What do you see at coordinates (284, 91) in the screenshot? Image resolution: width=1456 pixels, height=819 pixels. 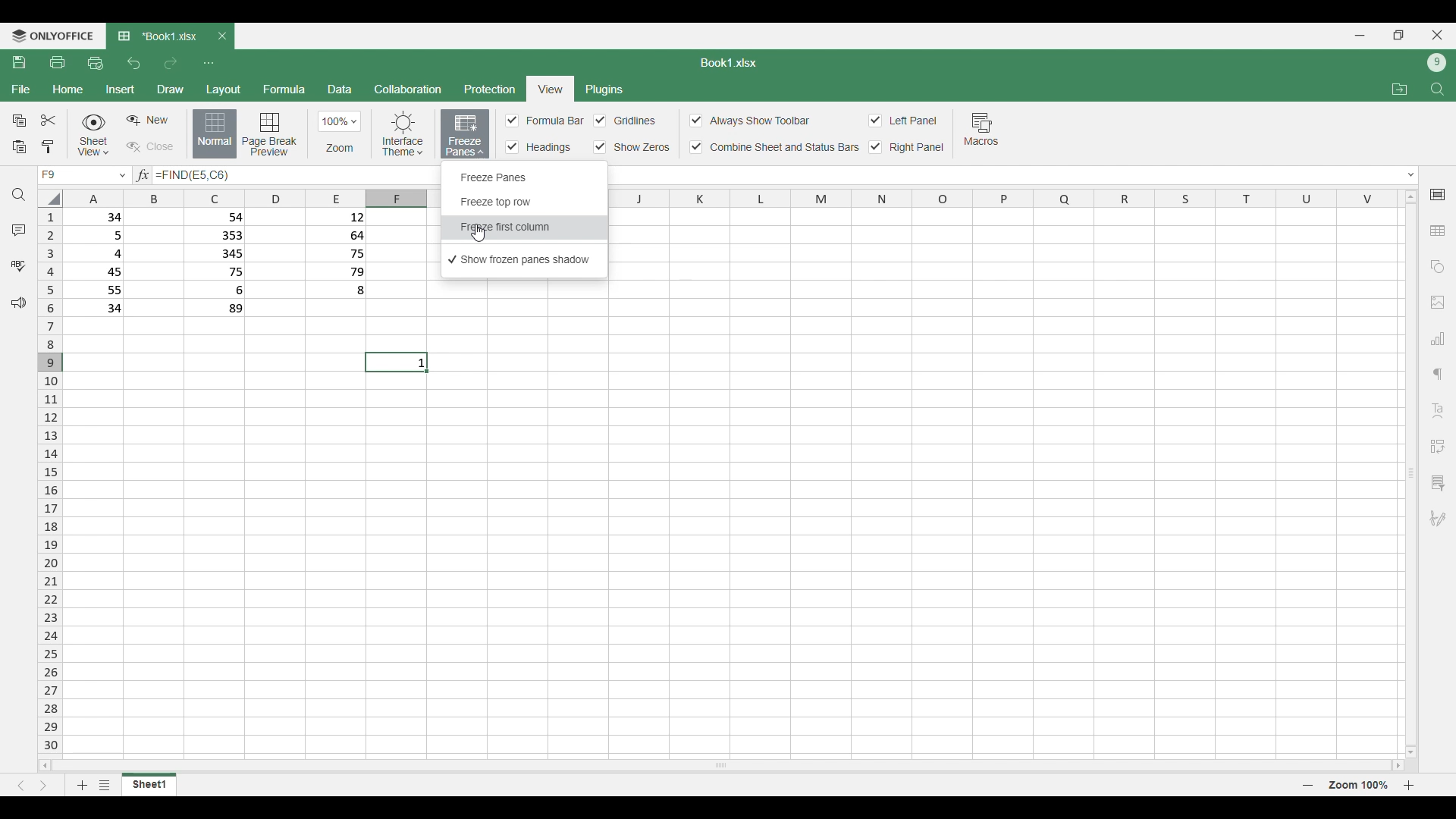 I see `Formula menu` at bounding box center [284, 91].